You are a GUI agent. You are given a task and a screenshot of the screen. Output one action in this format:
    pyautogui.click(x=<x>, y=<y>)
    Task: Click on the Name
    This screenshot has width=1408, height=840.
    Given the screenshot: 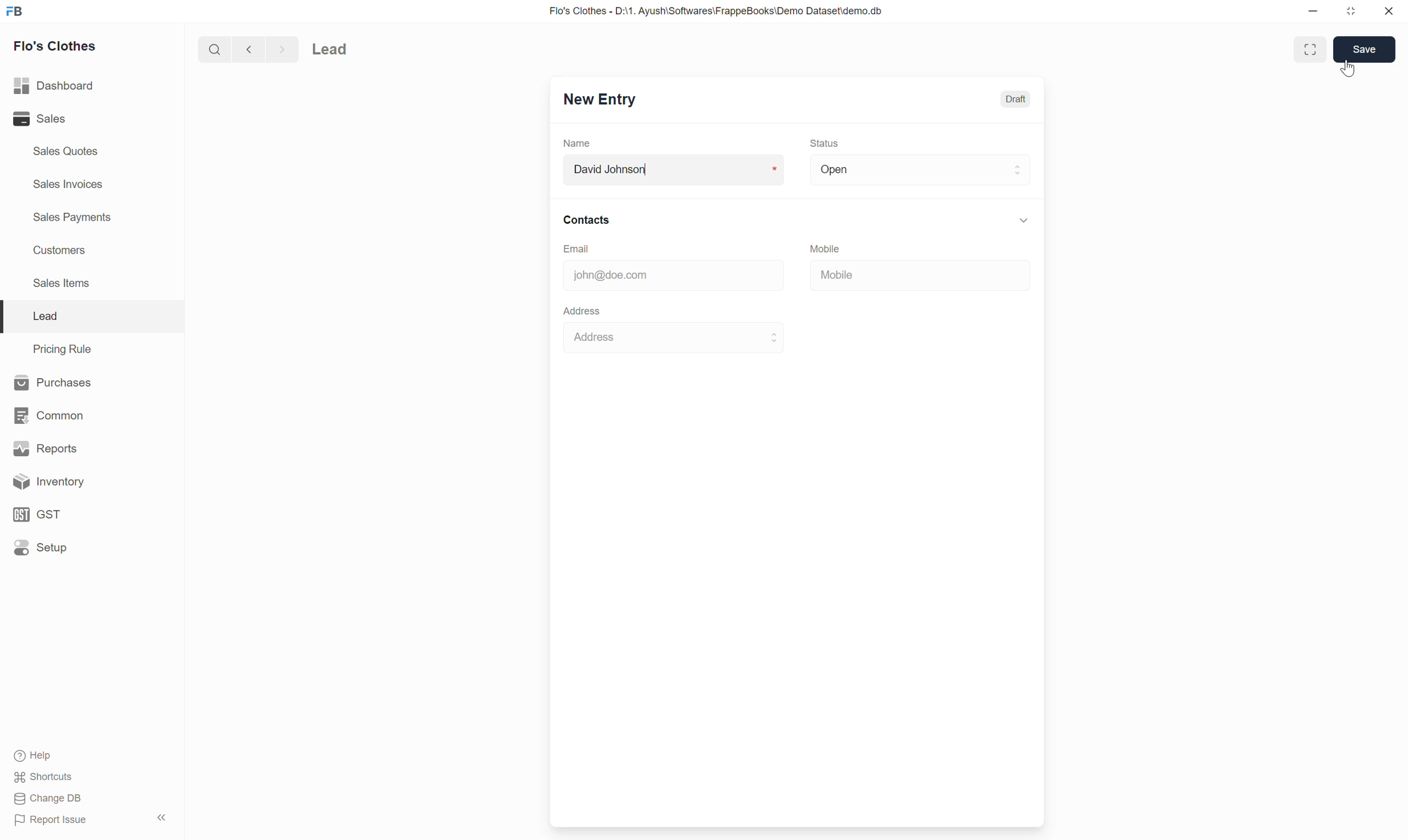 What is the action you would take?
    pyautogui.click(x=577, y=144)
    